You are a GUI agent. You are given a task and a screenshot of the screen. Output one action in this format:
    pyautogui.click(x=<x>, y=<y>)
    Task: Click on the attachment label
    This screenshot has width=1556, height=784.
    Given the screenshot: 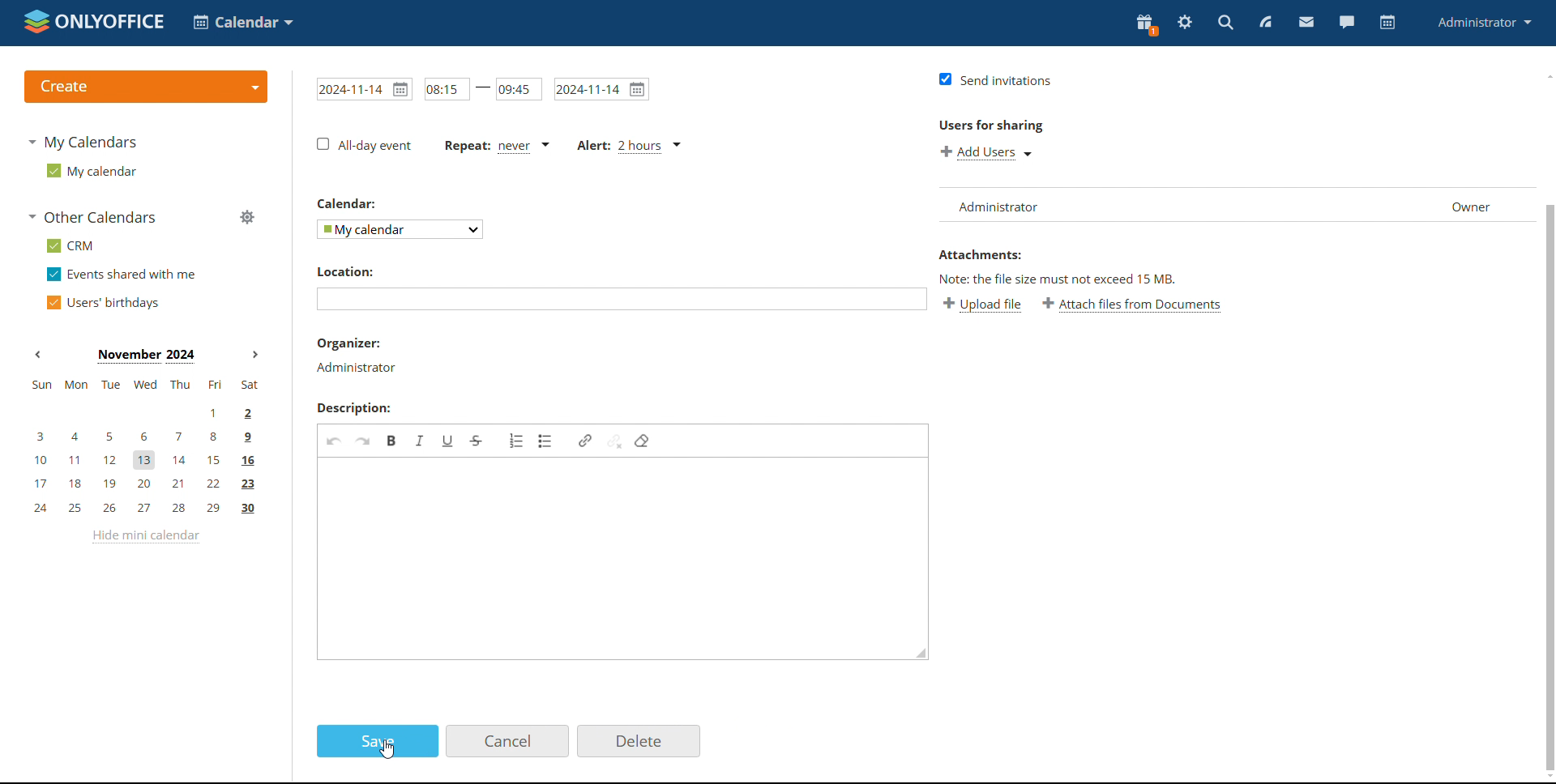 What is the action you would take?
    pyautogui.click(x=978, y=255)
    